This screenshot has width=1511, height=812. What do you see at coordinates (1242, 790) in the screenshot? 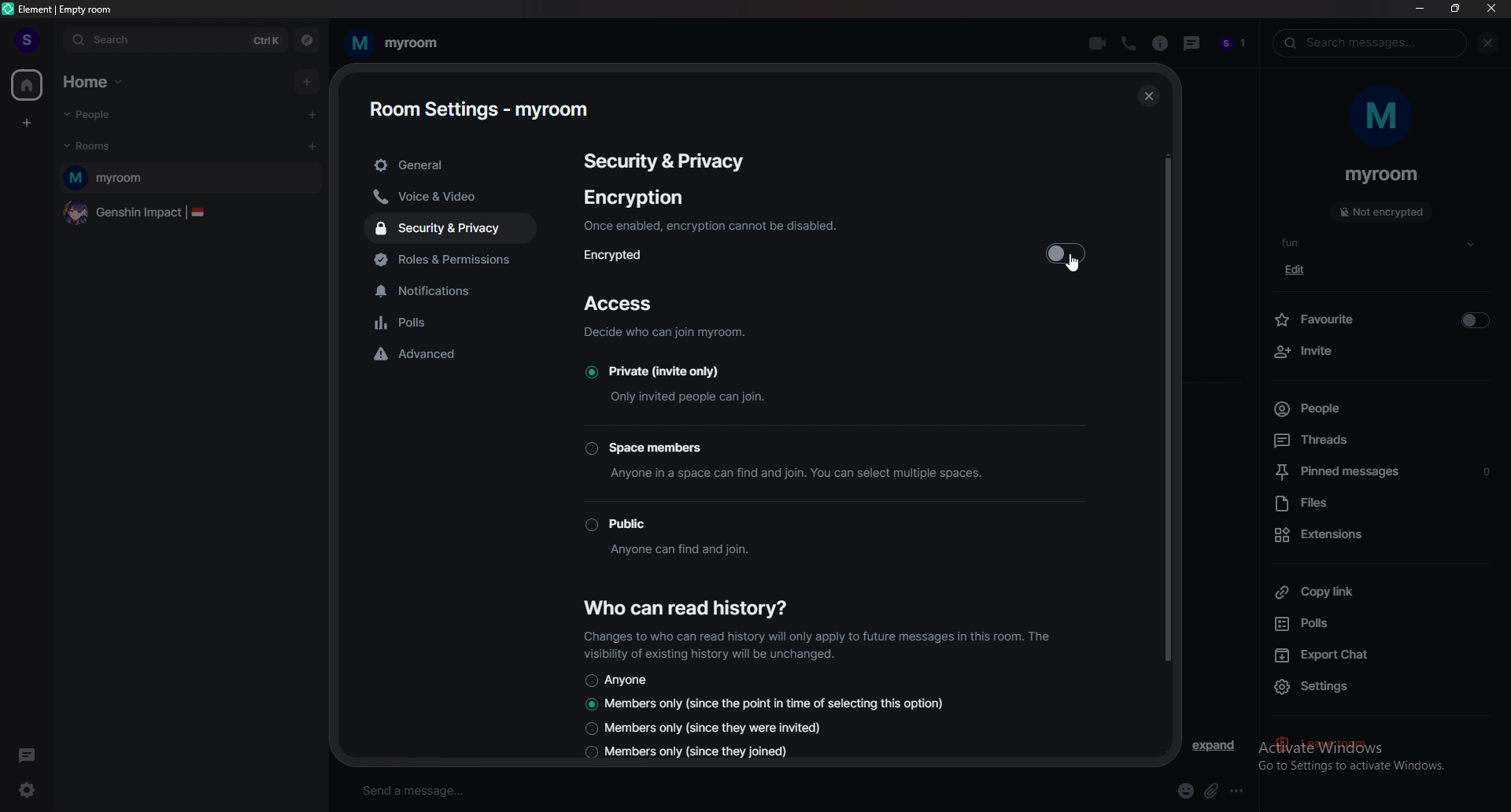
I see `more options` at bounding box center [1242, 790].